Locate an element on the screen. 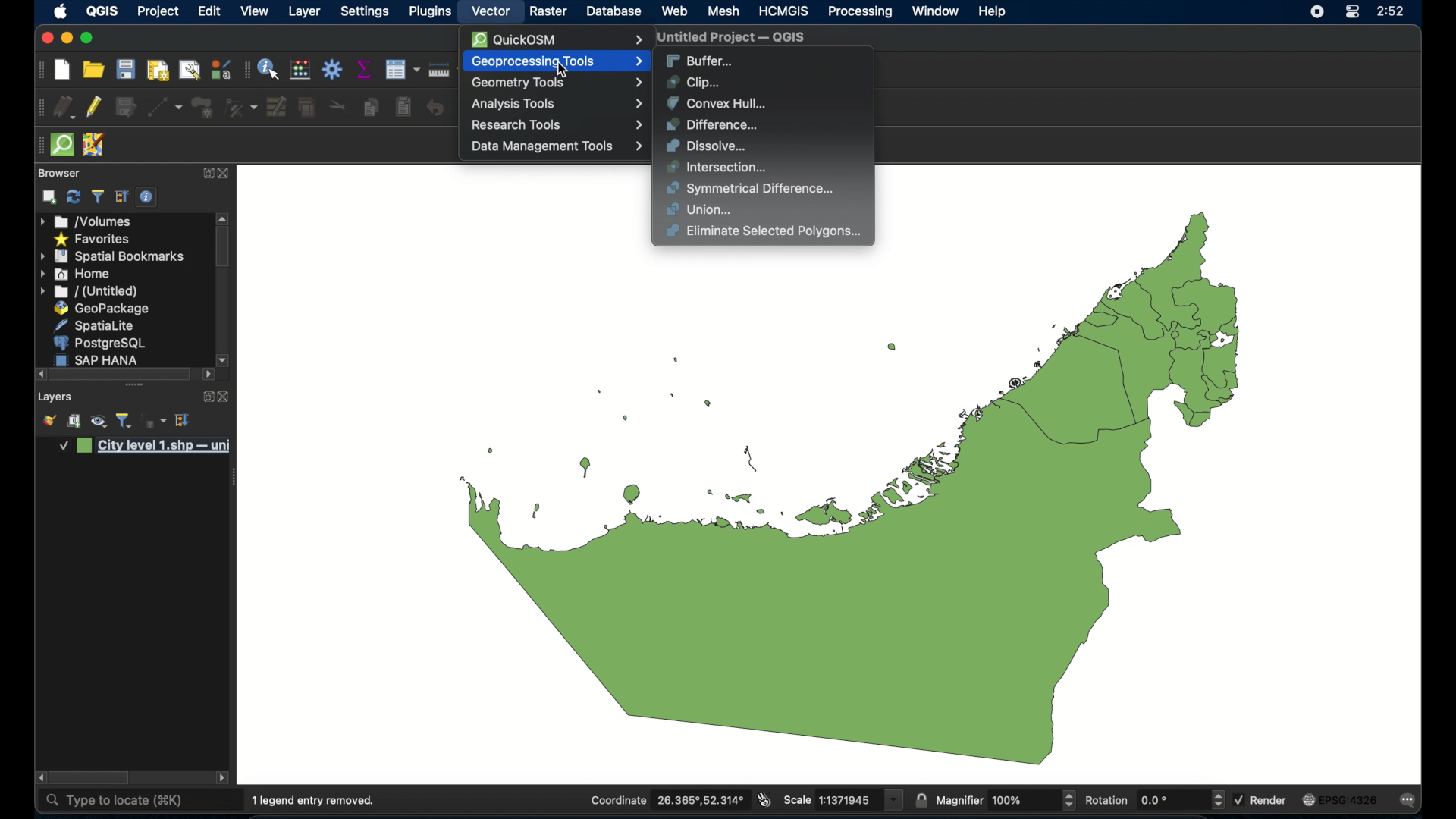 This screenshot has width=1456, height=819. vector selected is located at coordinates (491, 12).